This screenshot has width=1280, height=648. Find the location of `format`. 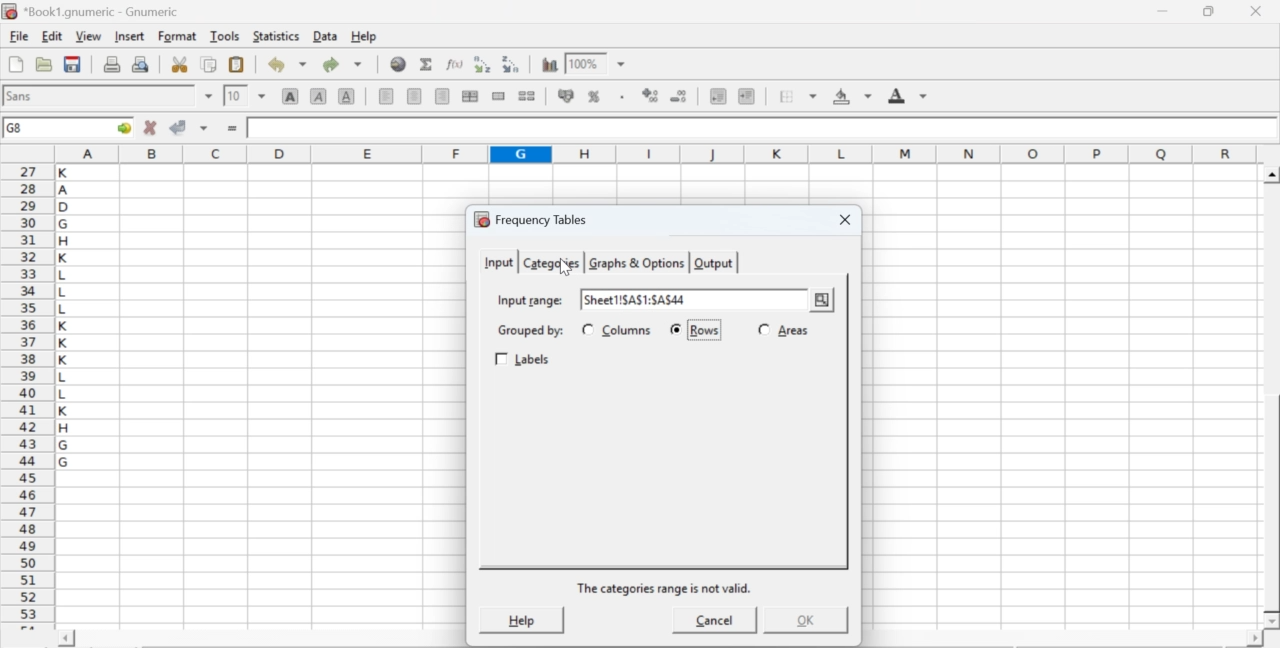

format is located at coordinates (178, 36).